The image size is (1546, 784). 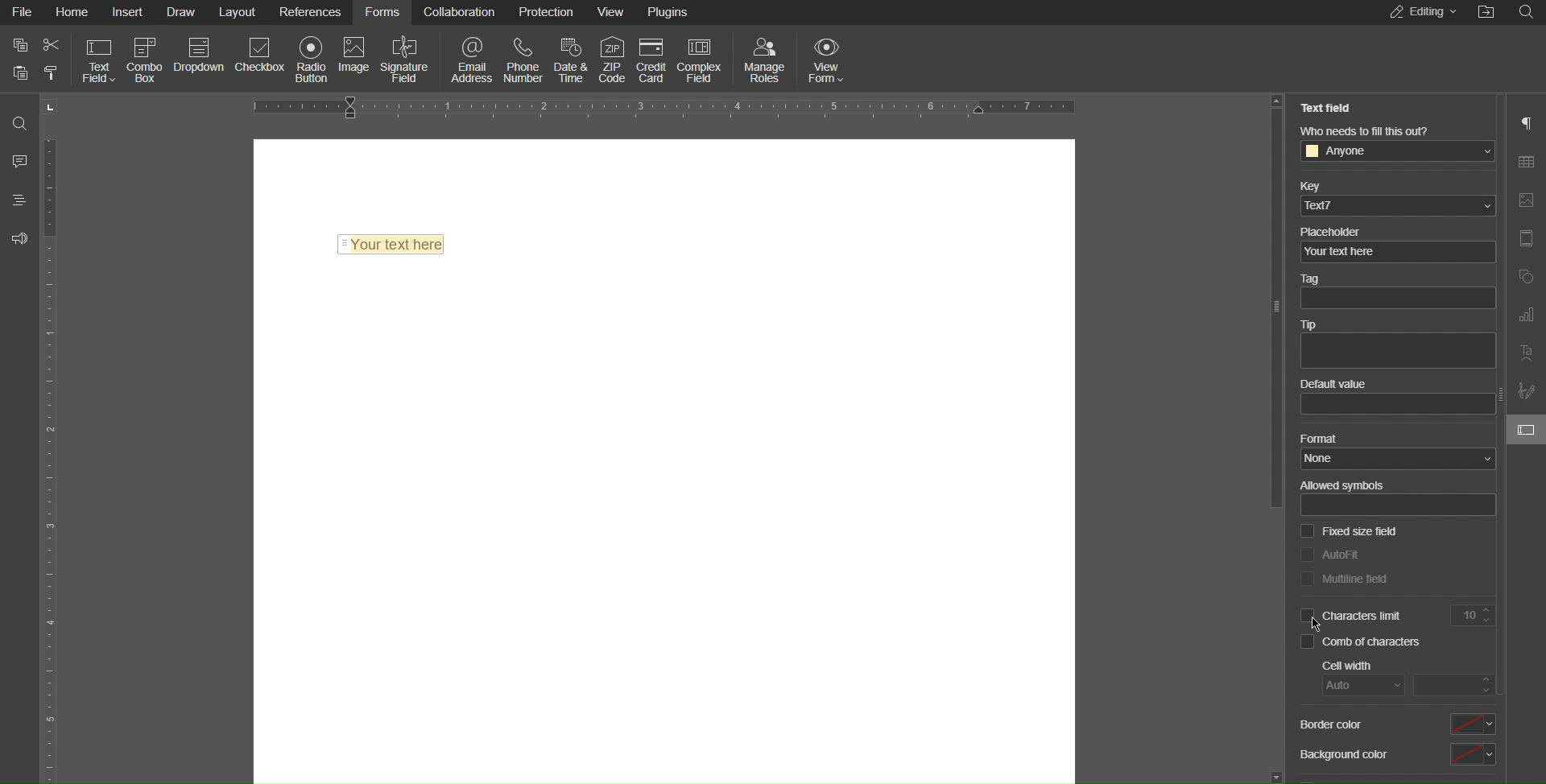 I want to click on Radio Button, so click(x=313, y=59).